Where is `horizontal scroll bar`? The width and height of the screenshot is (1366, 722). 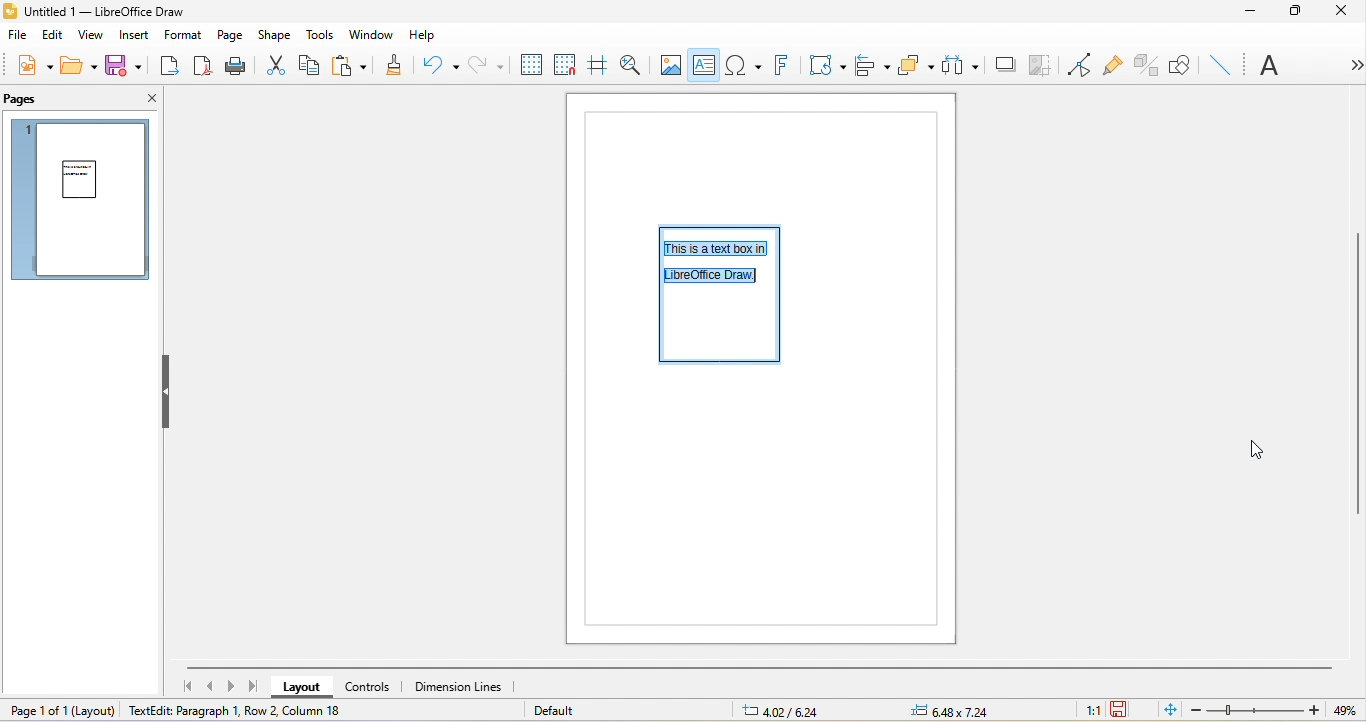
horizontal scroll bar is located at coordinates (756, 669).